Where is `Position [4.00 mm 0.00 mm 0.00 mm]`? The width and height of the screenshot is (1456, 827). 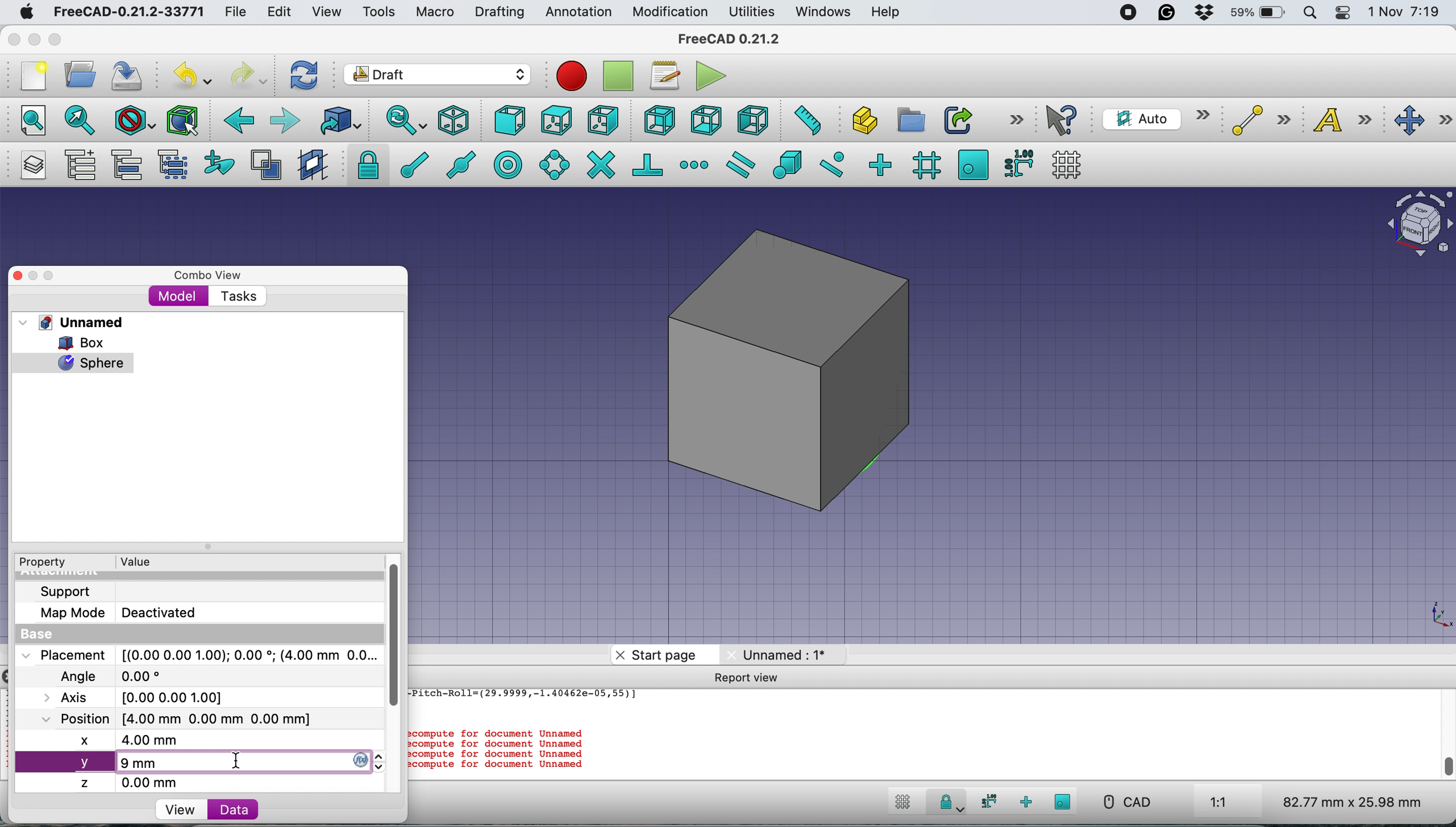 Position [4.00 mm 0.00 mm 0.00 mm] is located at coordinates (177, 720).